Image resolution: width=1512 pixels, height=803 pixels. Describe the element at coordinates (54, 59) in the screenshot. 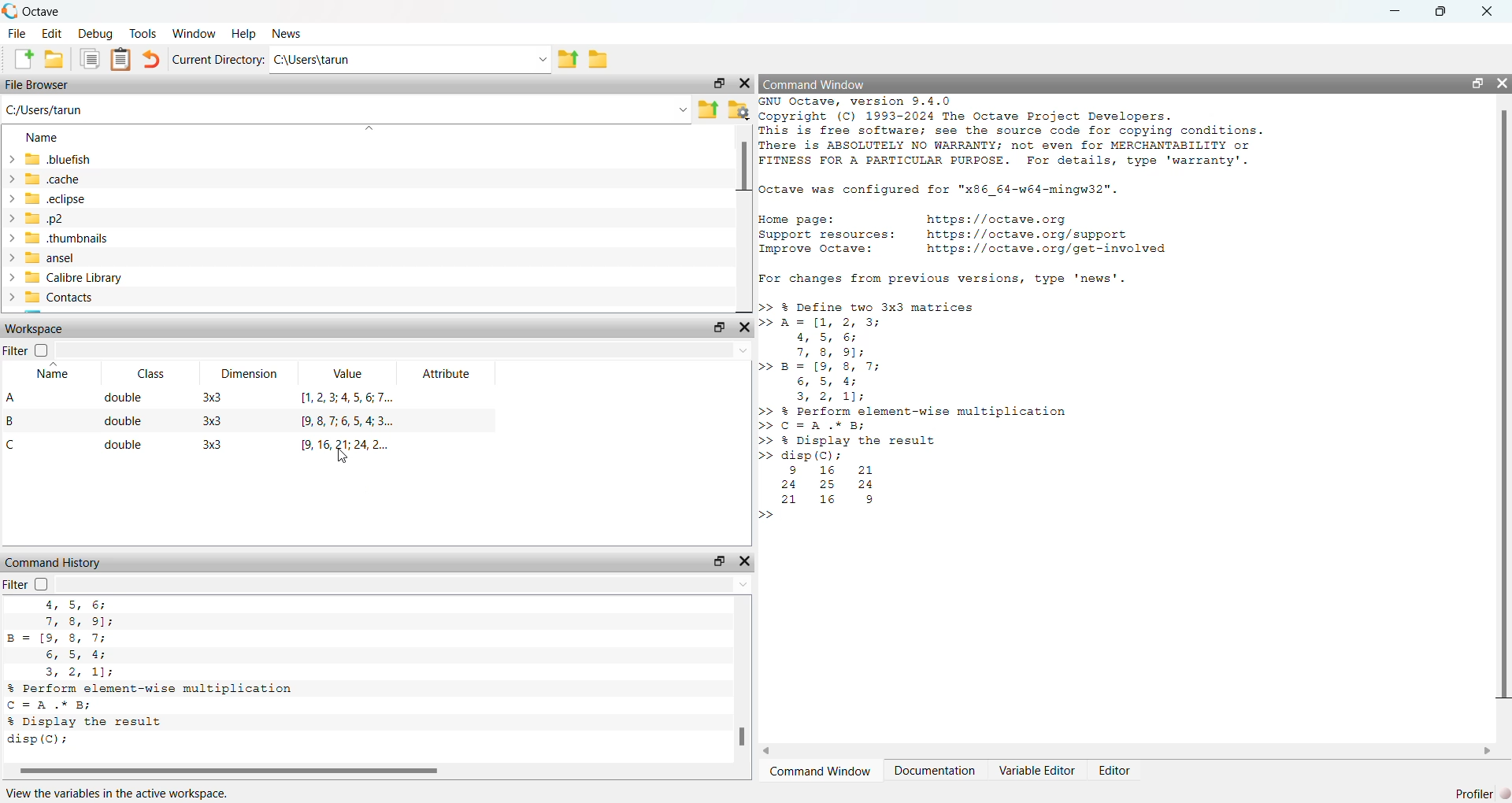

I see `Open Folder` at that location.